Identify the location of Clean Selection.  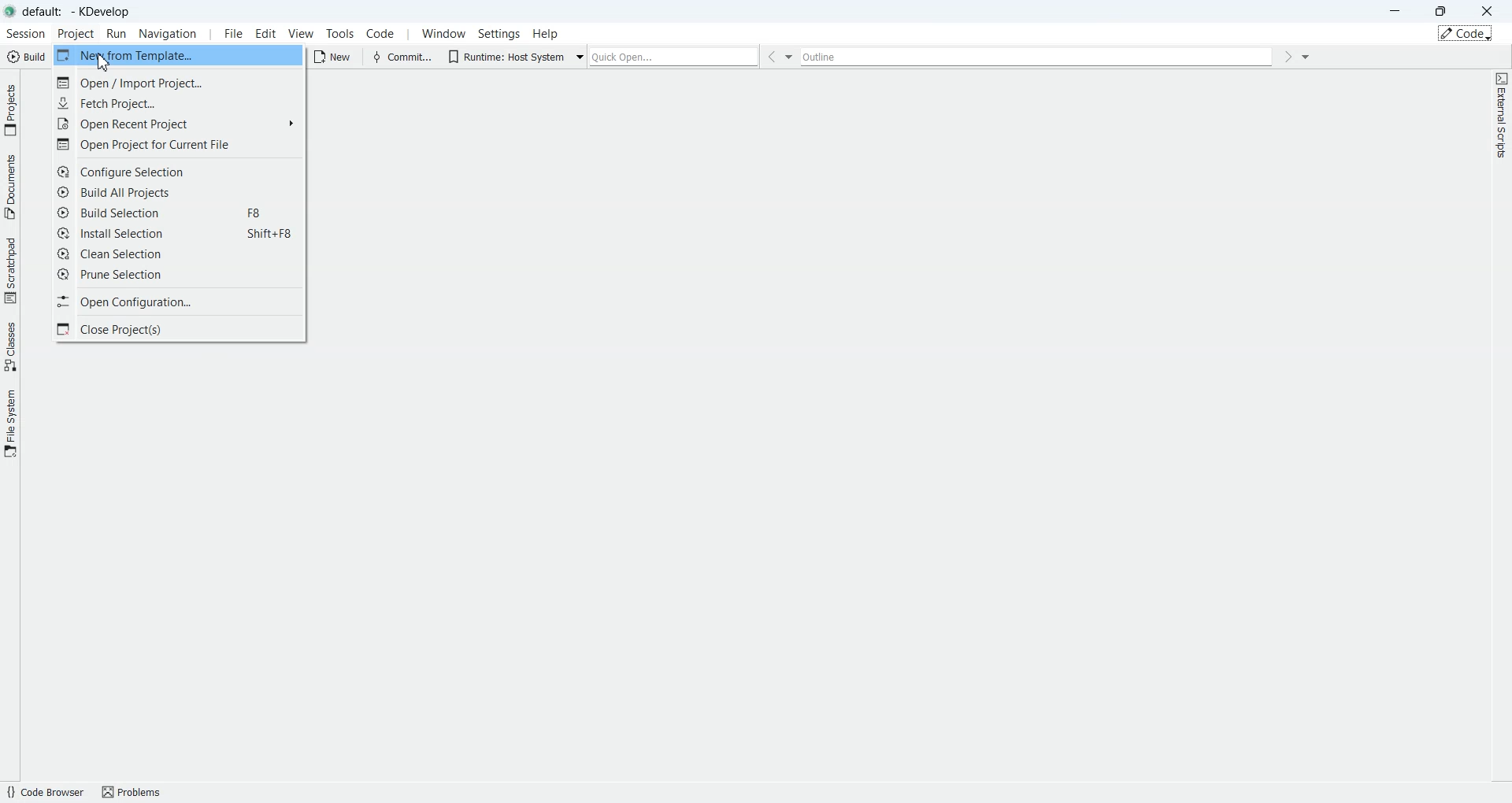
(179, 253).